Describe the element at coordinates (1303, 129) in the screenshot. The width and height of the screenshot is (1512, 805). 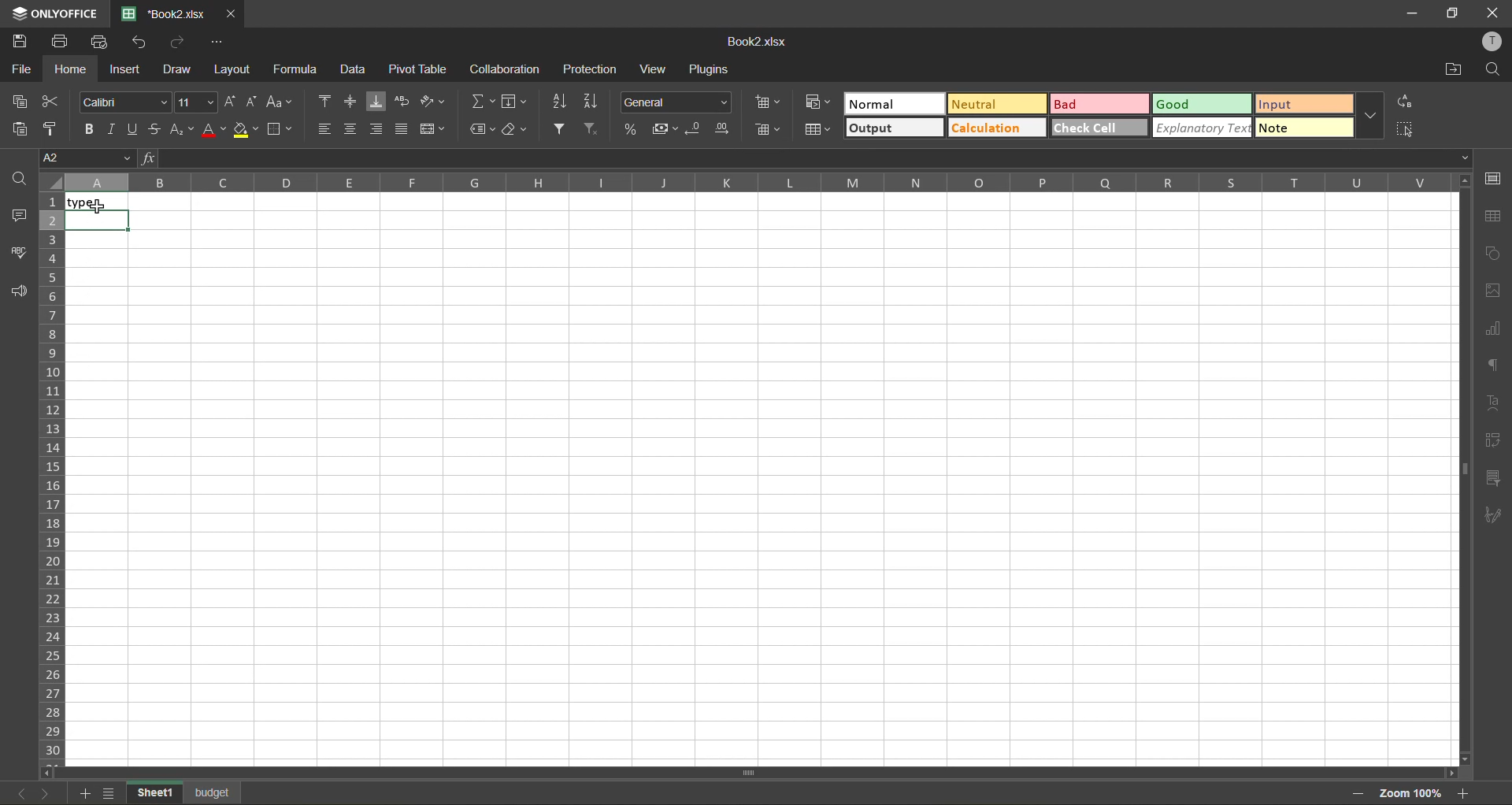
I see `note` at that location.